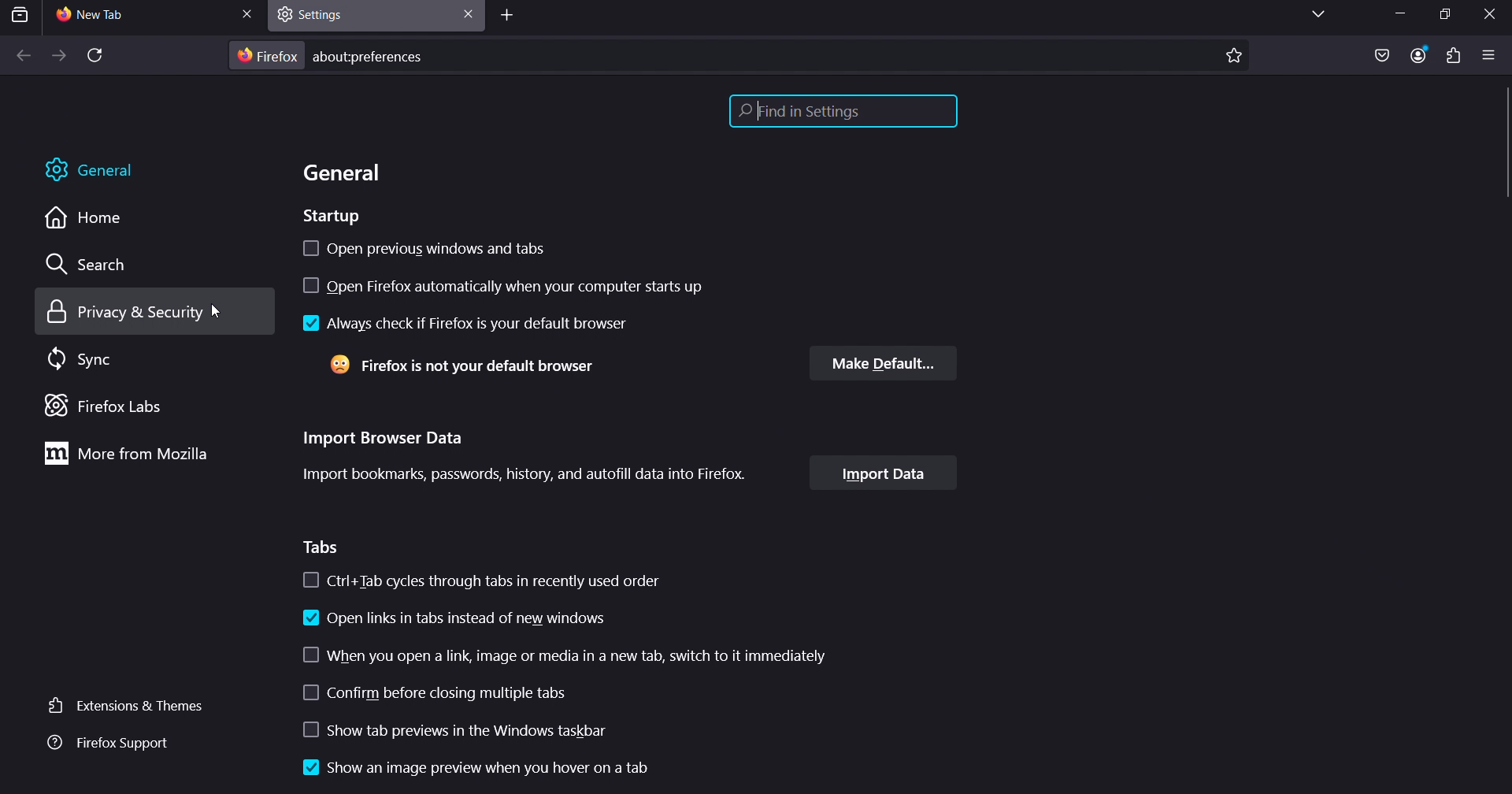 The height and width of the screenshot is (794, 1512). What do you see at coordinates (438, 694) in the screenshot?
I see `confirm before closing multiple tabs` at bounding box center [438, 694].